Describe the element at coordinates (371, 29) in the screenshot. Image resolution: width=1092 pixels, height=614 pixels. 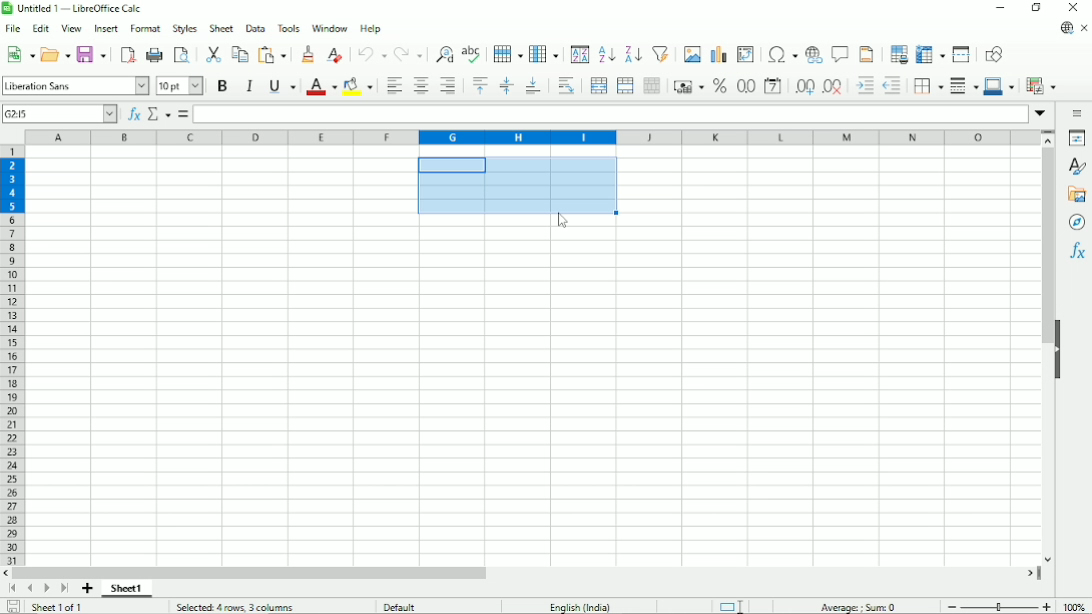
I see `Help` at that location.